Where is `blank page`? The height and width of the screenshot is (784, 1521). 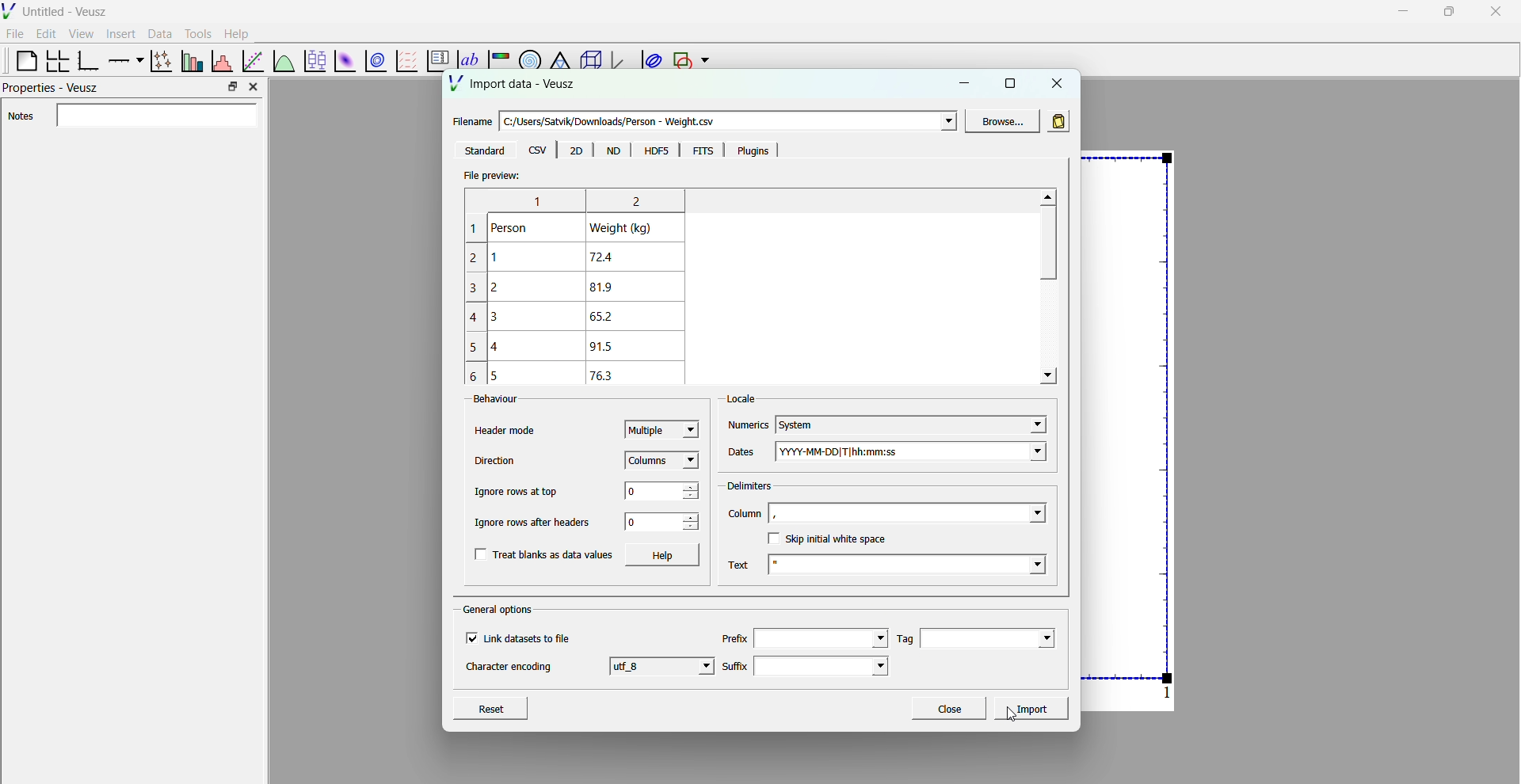
blank page is located at coordinates (20, 60).